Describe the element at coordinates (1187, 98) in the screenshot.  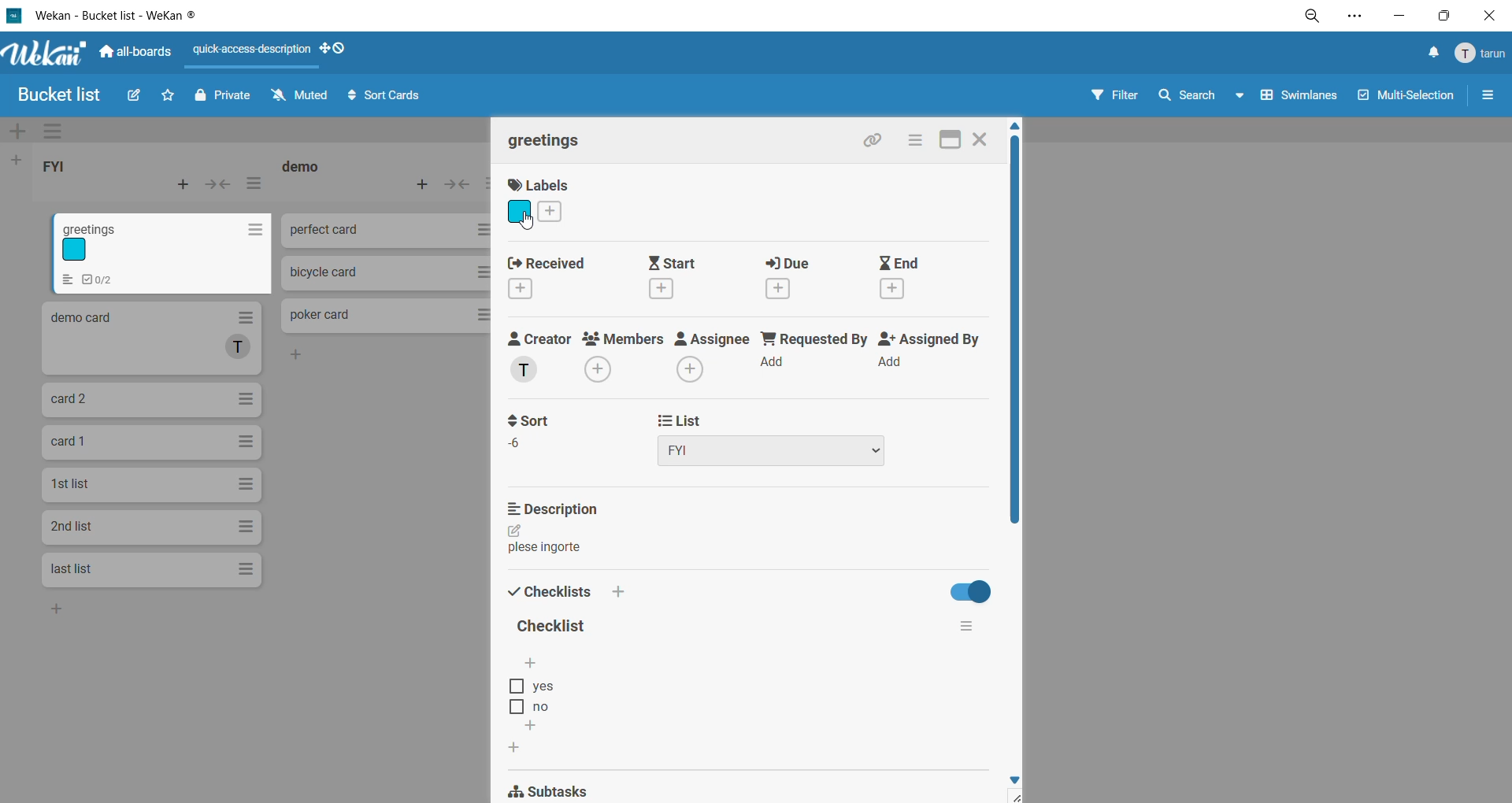
I see `search` at that location.